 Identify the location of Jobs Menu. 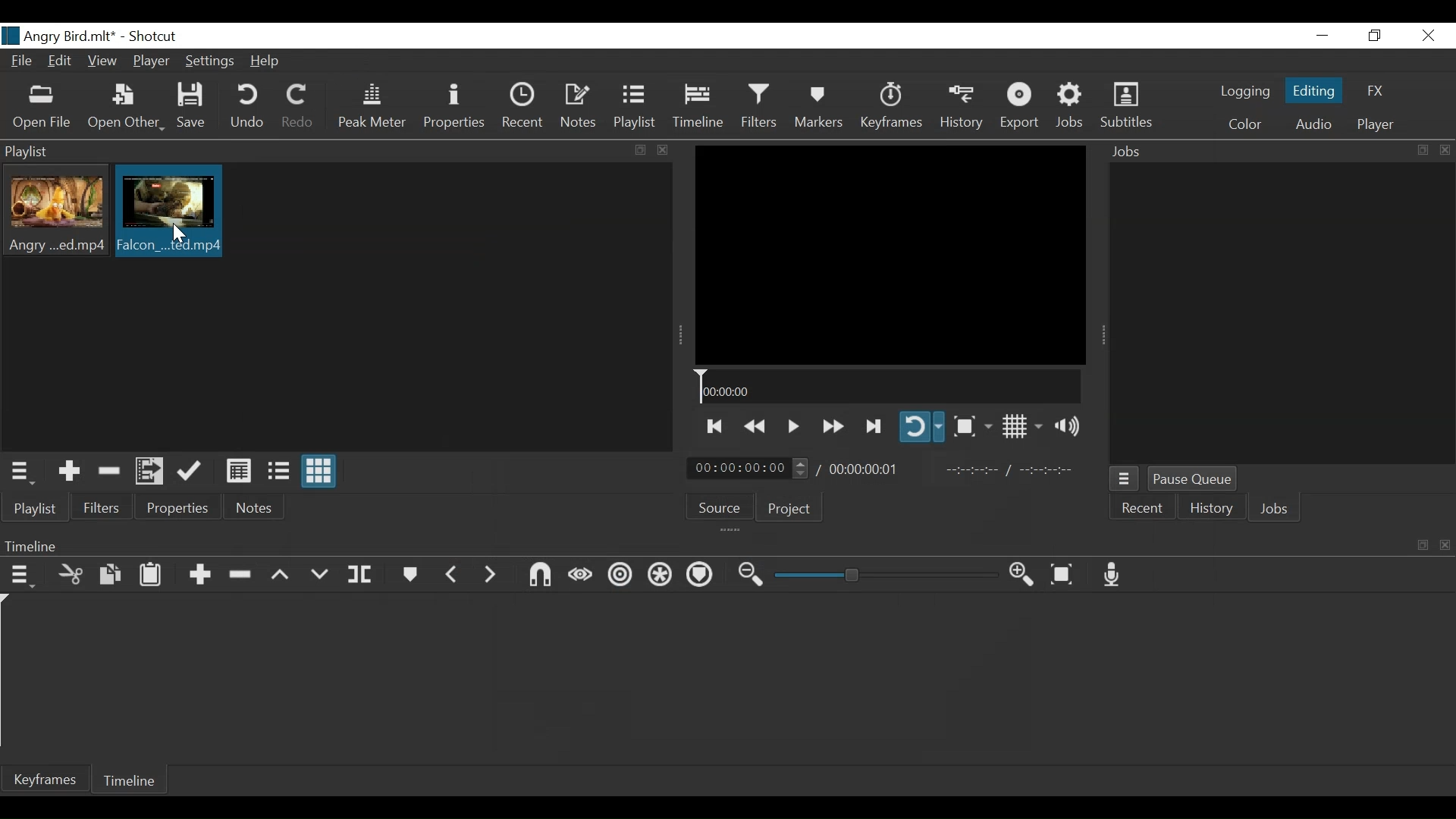
(1122, 480).